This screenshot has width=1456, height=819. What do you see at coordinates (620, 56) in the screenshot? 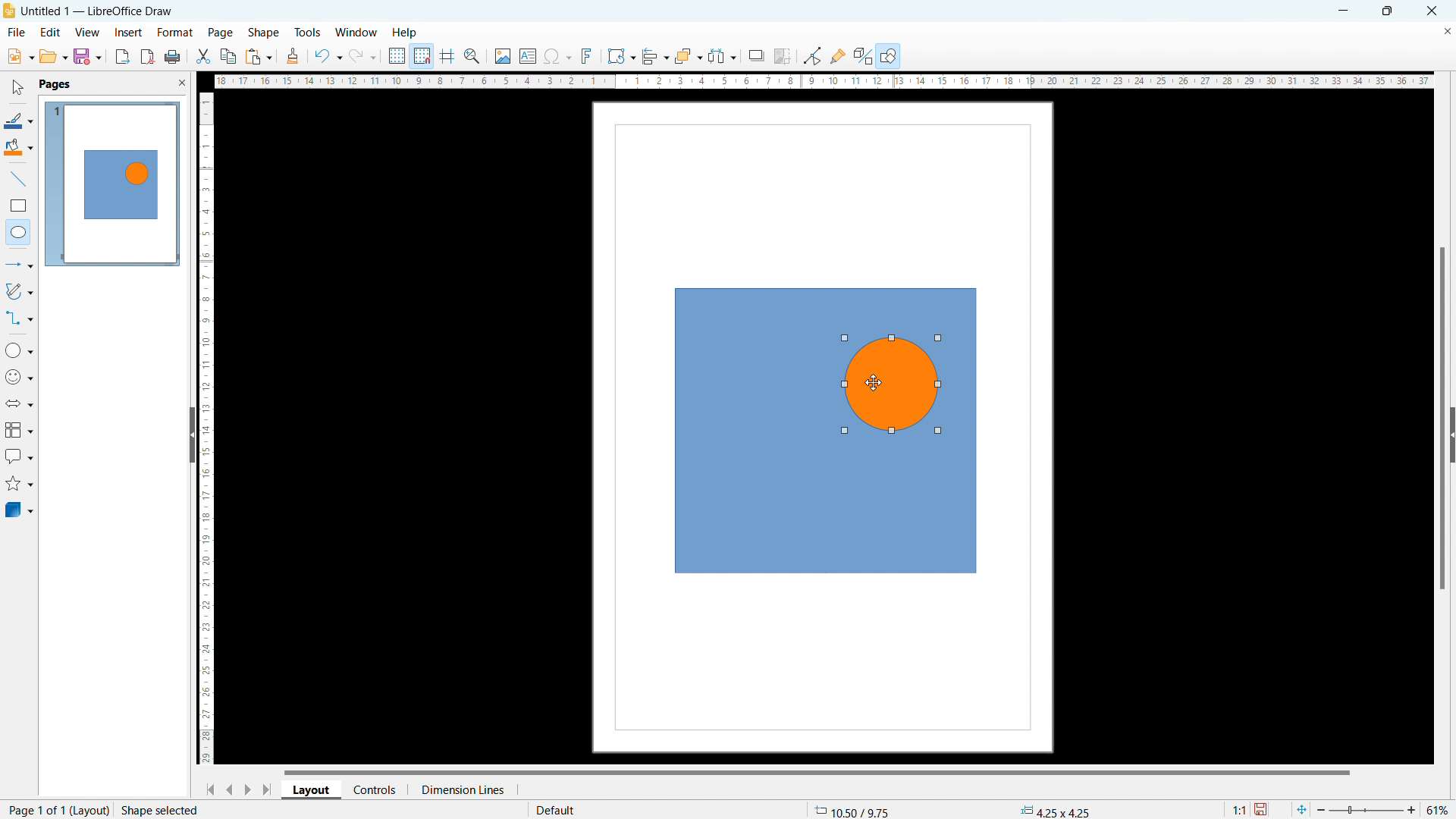
I see `transformations` at bounding box center [620, 56].